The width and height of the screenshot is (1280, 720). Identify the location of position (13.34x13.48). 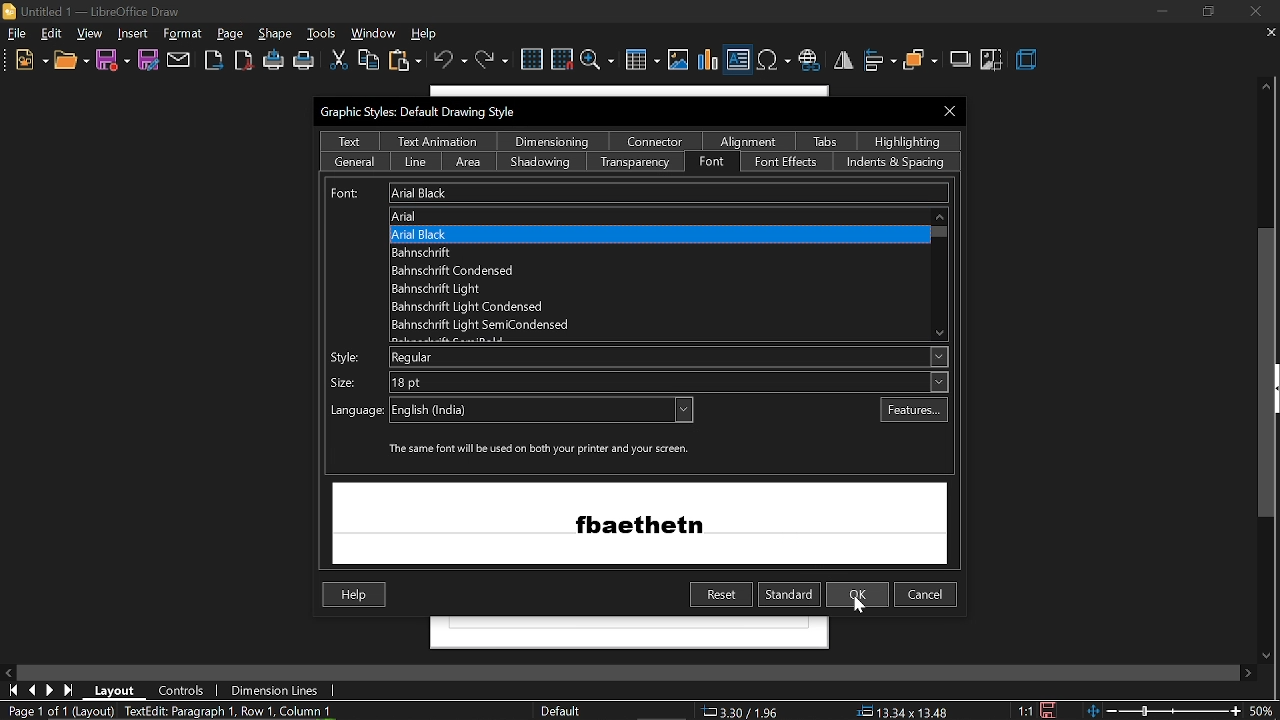
(901, 711).